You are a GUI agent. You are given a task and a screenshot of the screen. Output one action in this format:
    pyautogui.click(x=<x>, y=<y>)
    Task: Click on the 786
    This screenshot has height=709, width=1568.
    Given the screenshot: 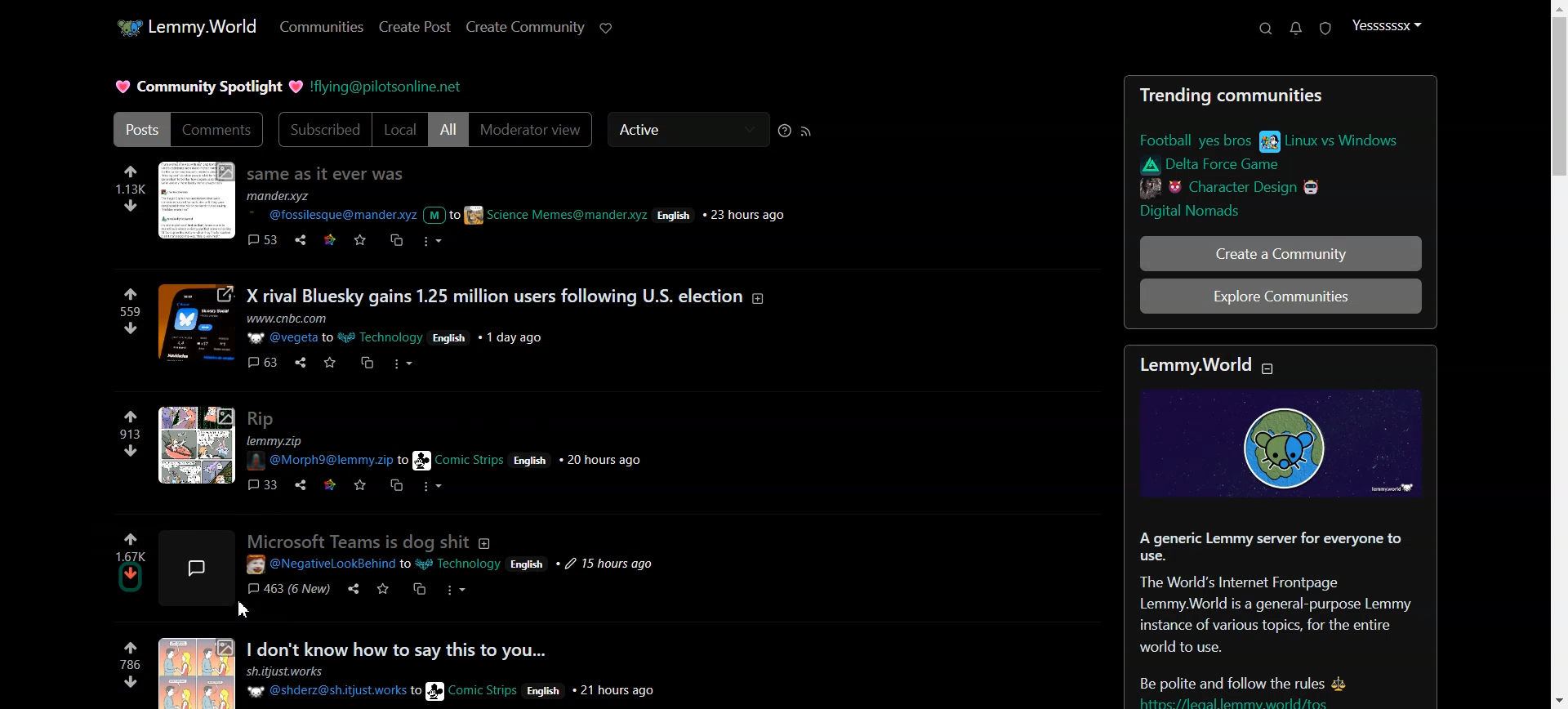 What is the action you would take?
    pyautogui.click(x=130, y=665)
    